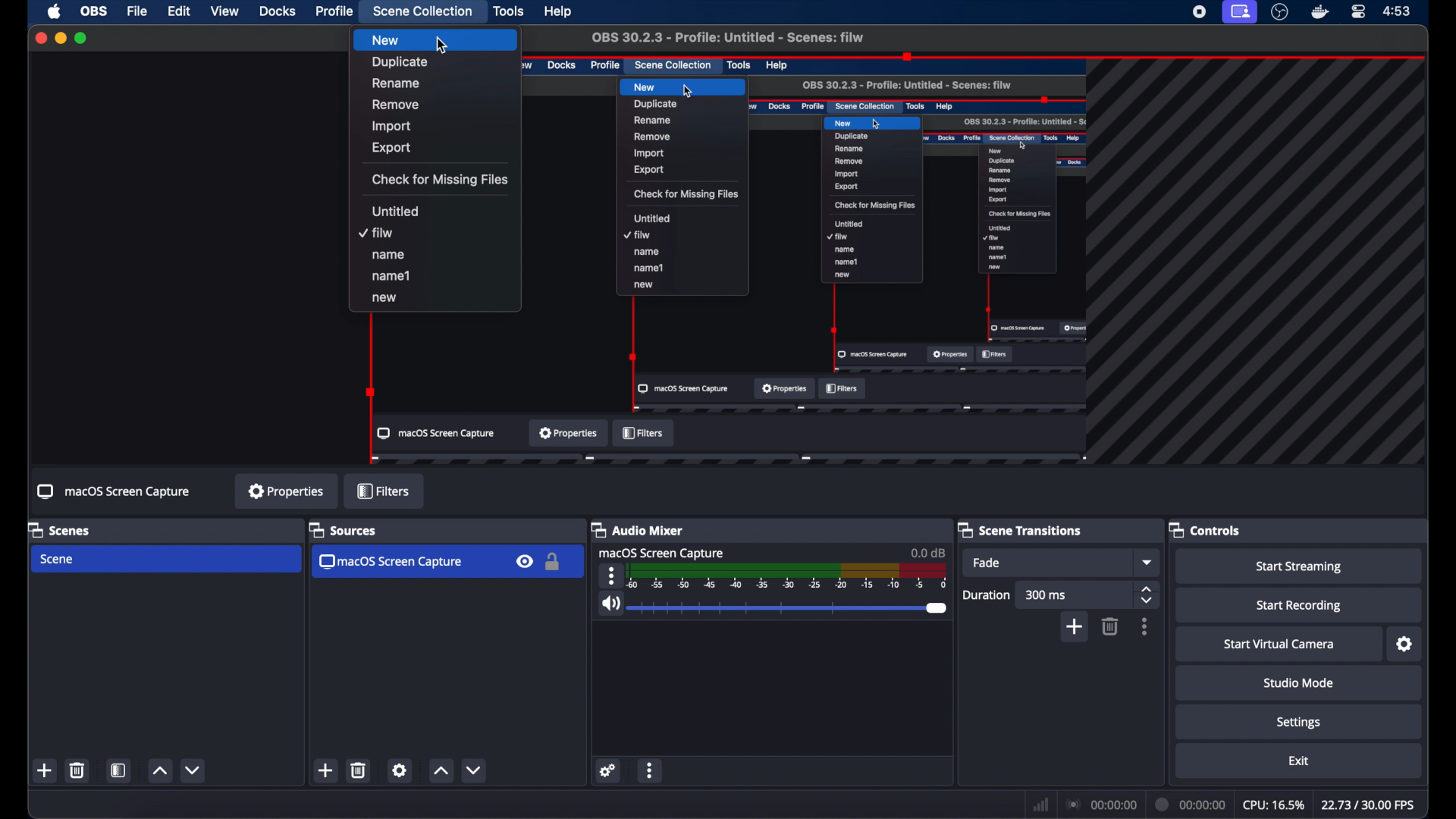 This screenshot has height=819, width=1456. What do you see at coordinates (1147, 594) in the screenshot?
I see `stepper button` at bounding box center [1147, 594].